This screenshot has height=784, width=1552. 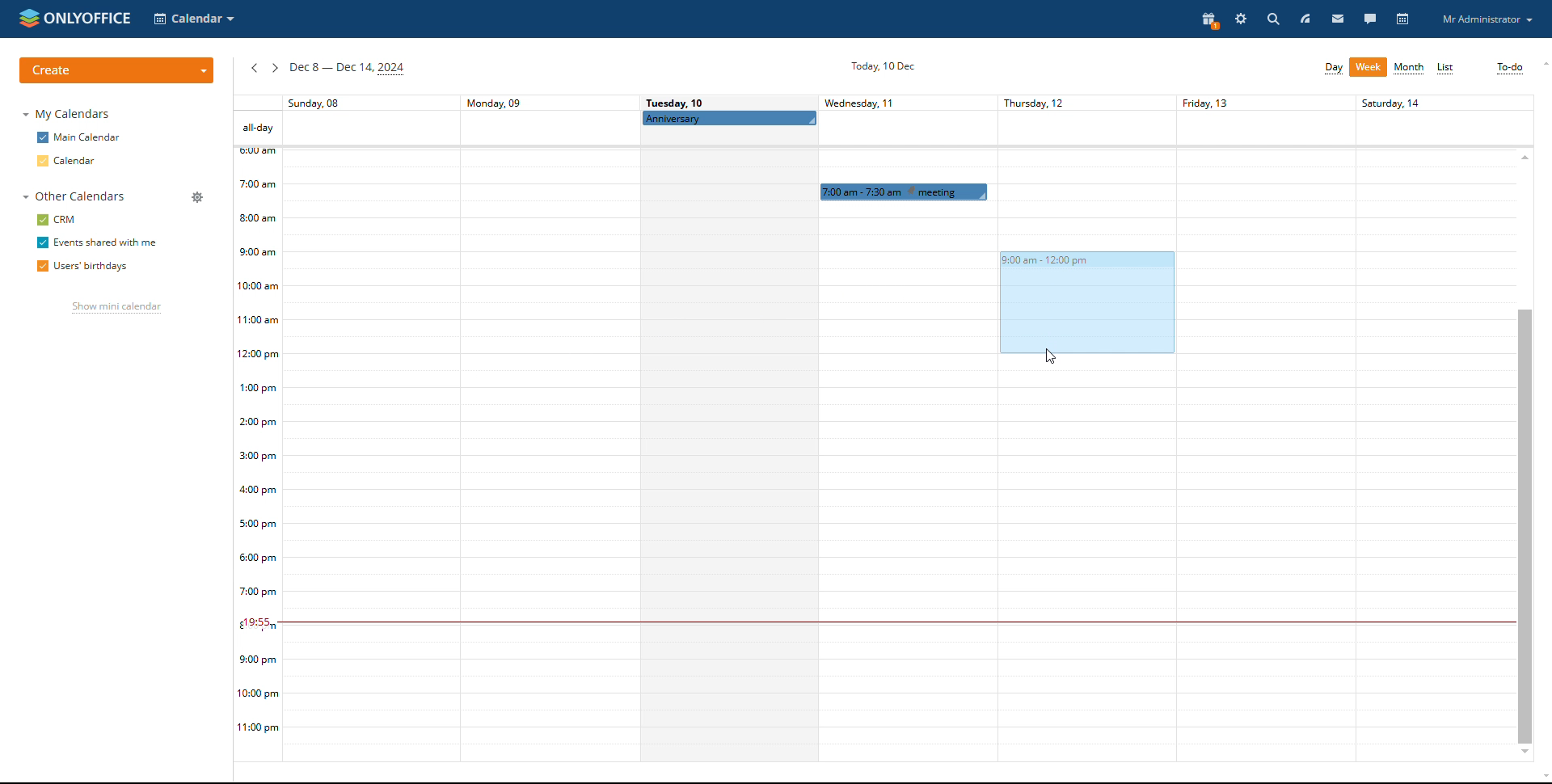 What do you see at coordinates (1371, 19) in the screenshot?
I see `talk` at bounding box center [1371, 19].